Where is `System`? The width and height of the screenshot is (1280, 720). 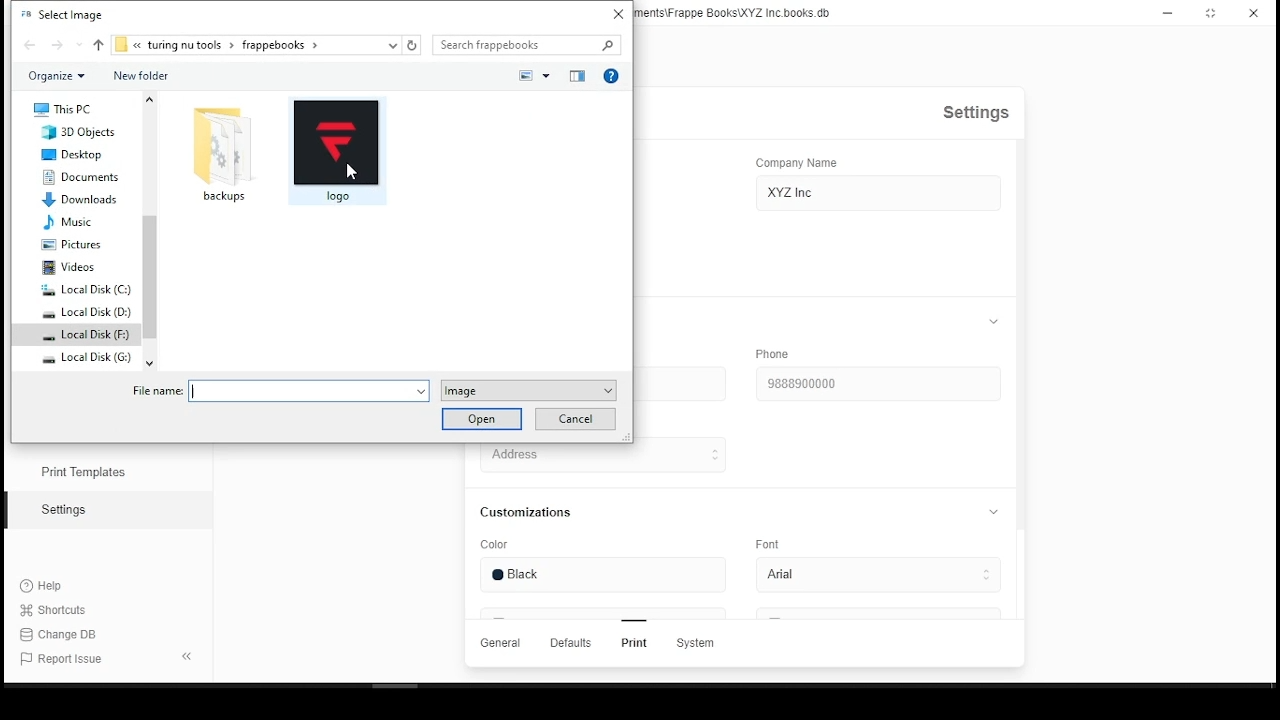 System is located at coordinates (710, 643).